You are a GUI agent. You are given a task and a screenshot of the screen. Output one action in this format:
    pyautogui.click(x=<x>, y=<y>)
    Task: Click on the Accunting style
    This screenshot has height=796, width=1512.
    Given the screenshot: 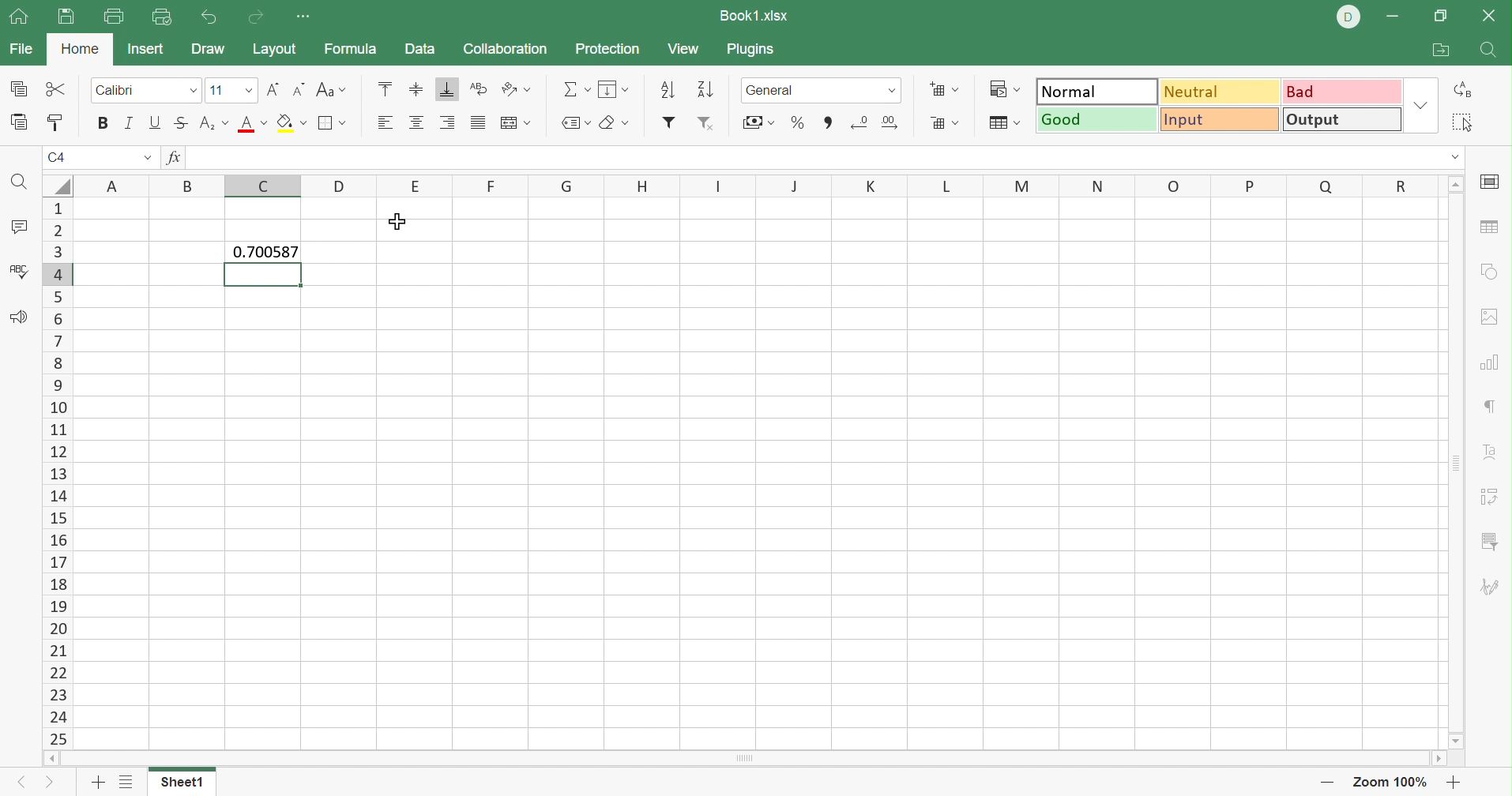 What is the action you would take?
    pyautogui.click(x=762, y=122)
    